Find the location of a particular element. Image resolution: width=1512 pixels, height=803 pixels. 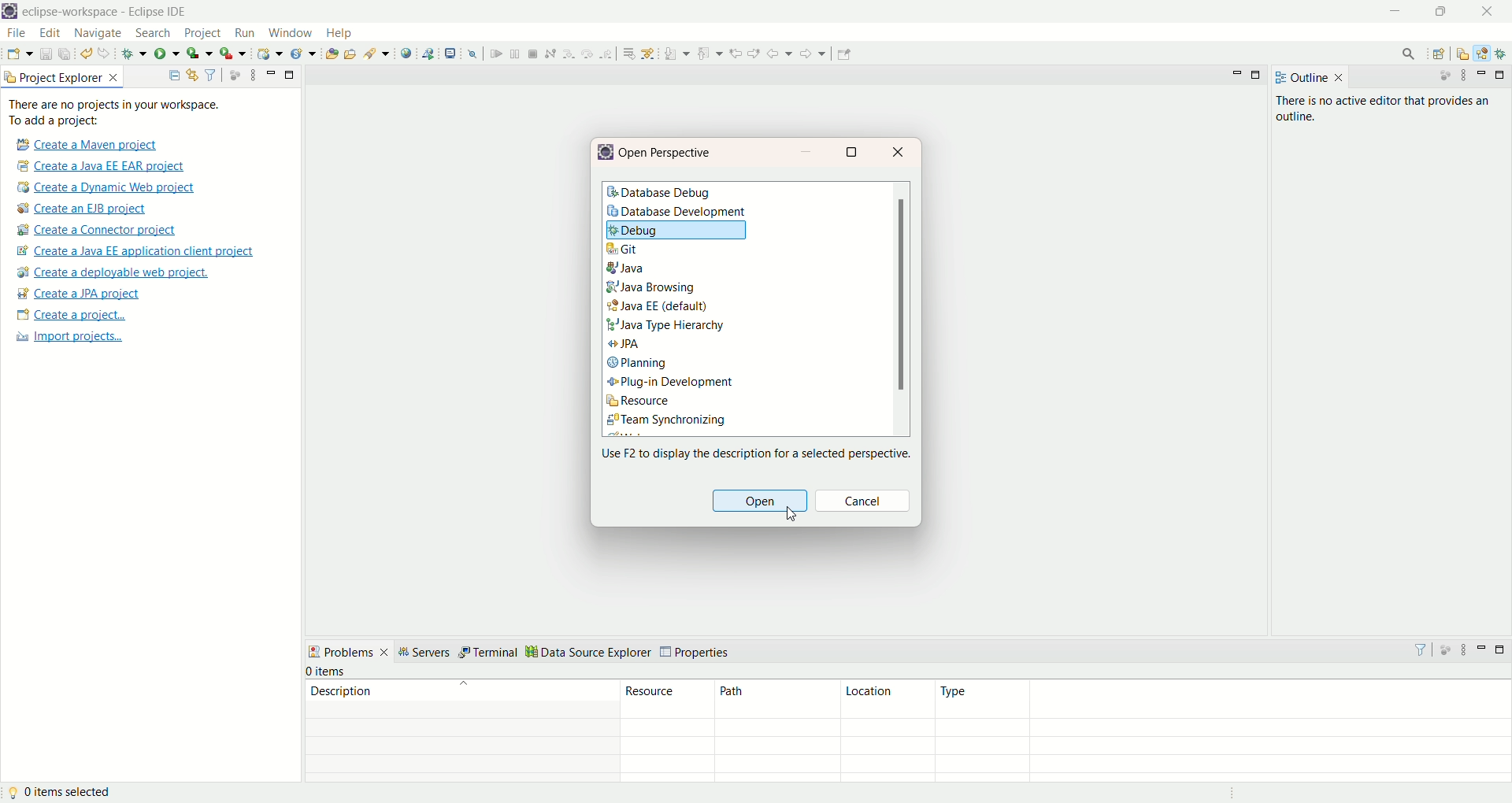

link with editor is located at coordinates (193, 74).